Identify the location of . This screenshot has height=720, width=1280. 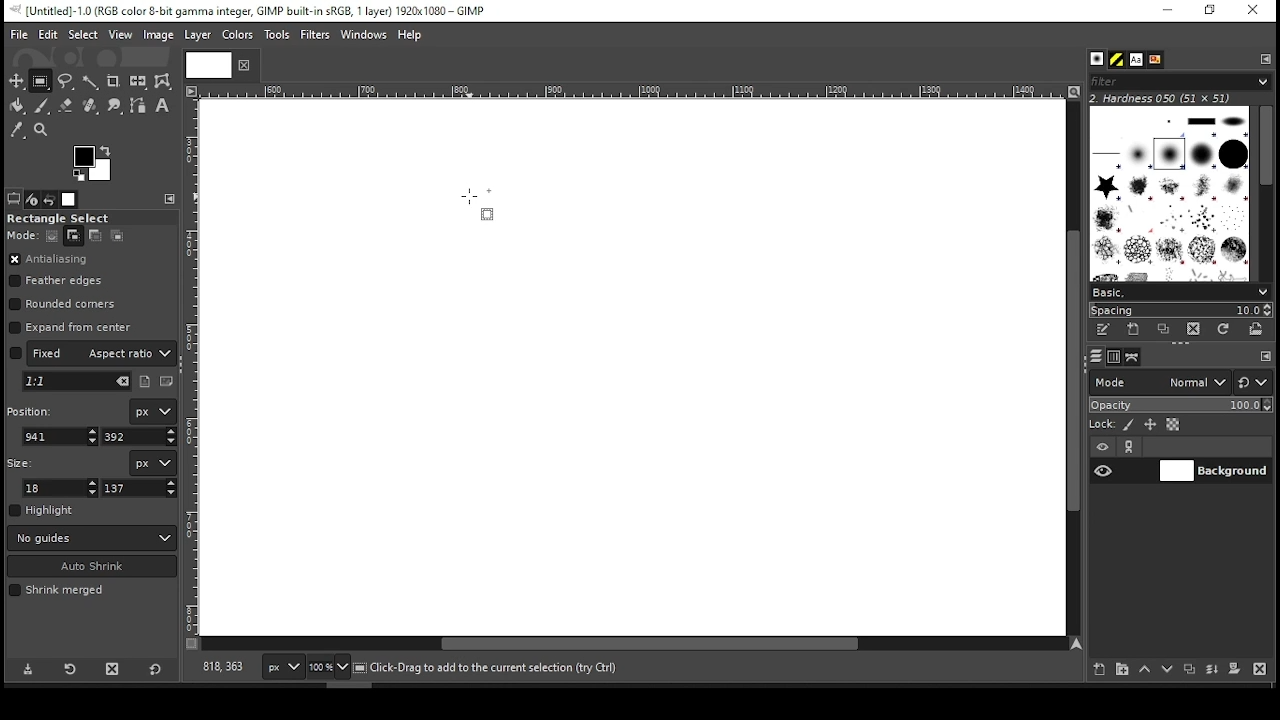
(629, 92).